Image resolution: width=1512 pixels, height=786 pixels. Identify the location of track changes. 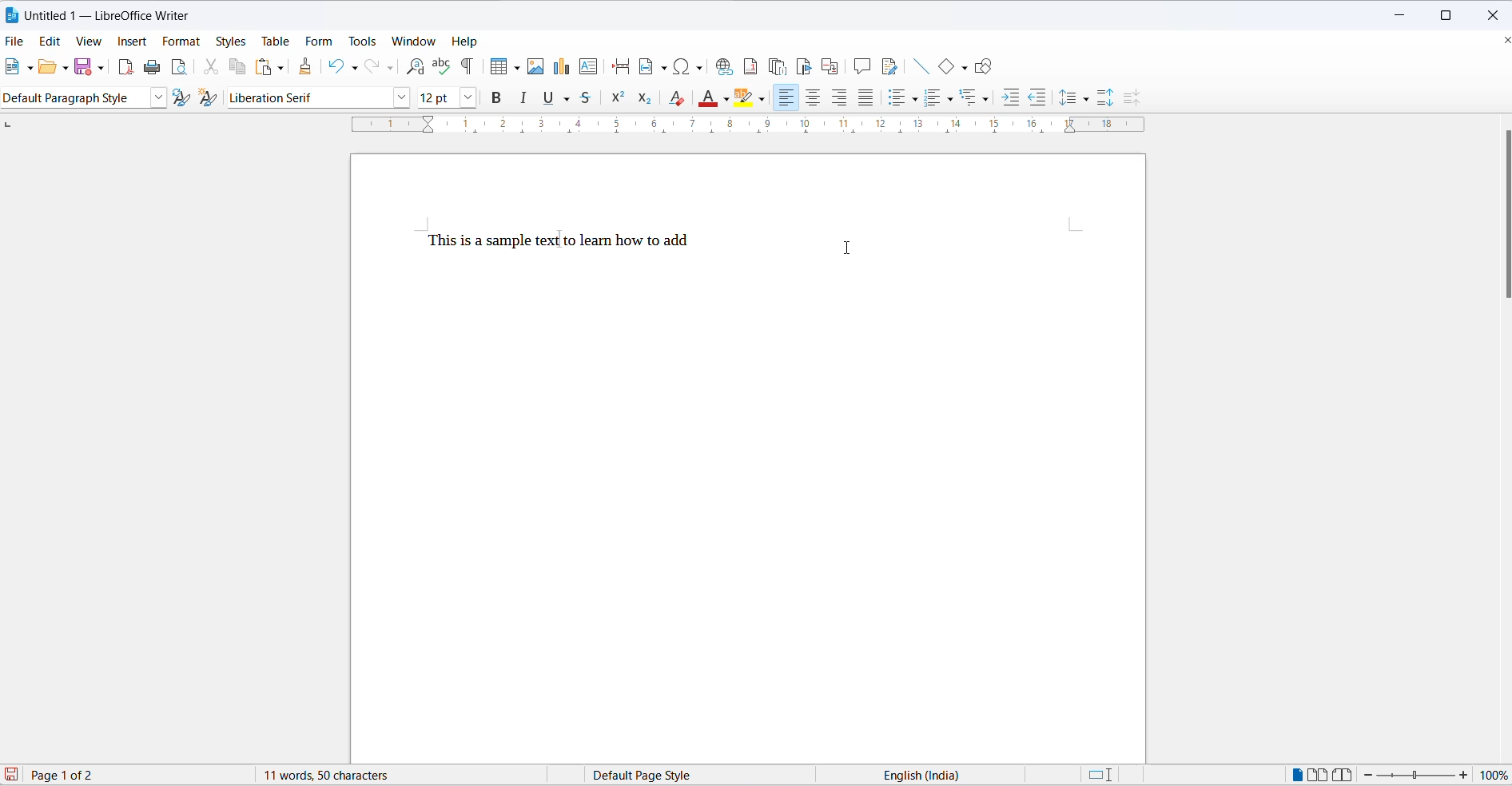
(891, 68).